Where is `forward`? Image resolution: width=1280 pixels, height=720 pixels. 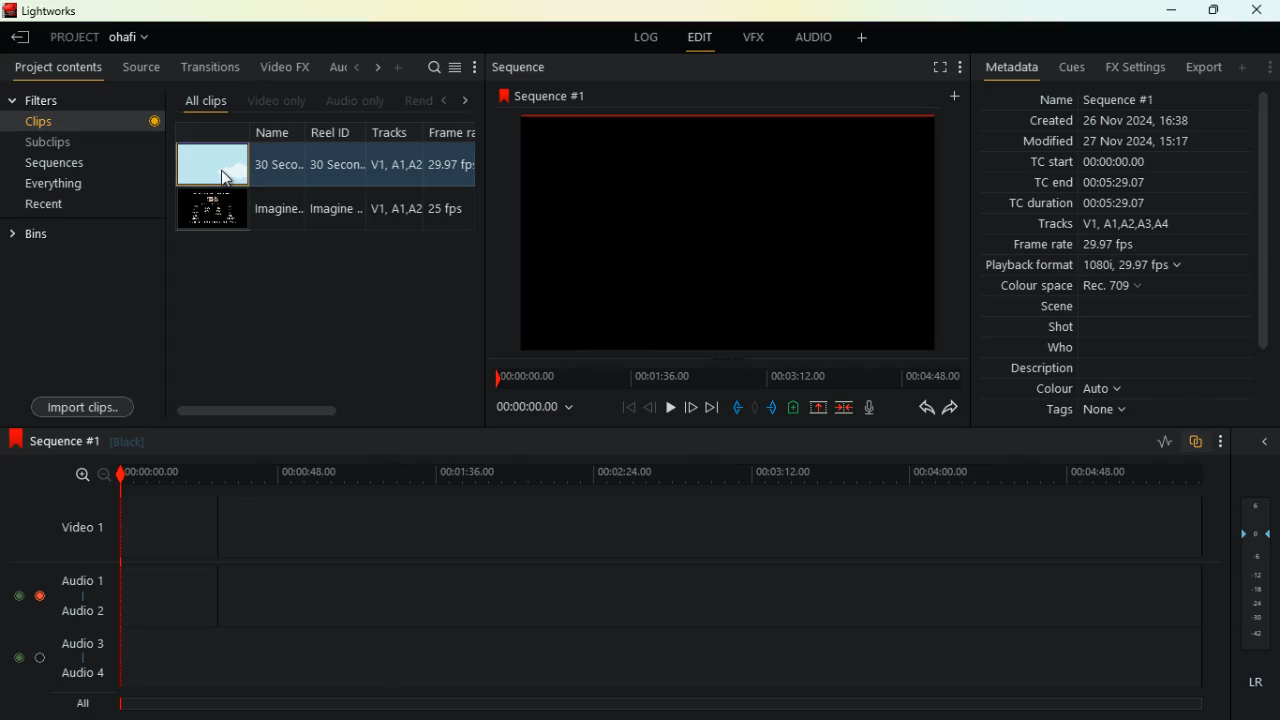
forward is located at coordinates (954, 407).